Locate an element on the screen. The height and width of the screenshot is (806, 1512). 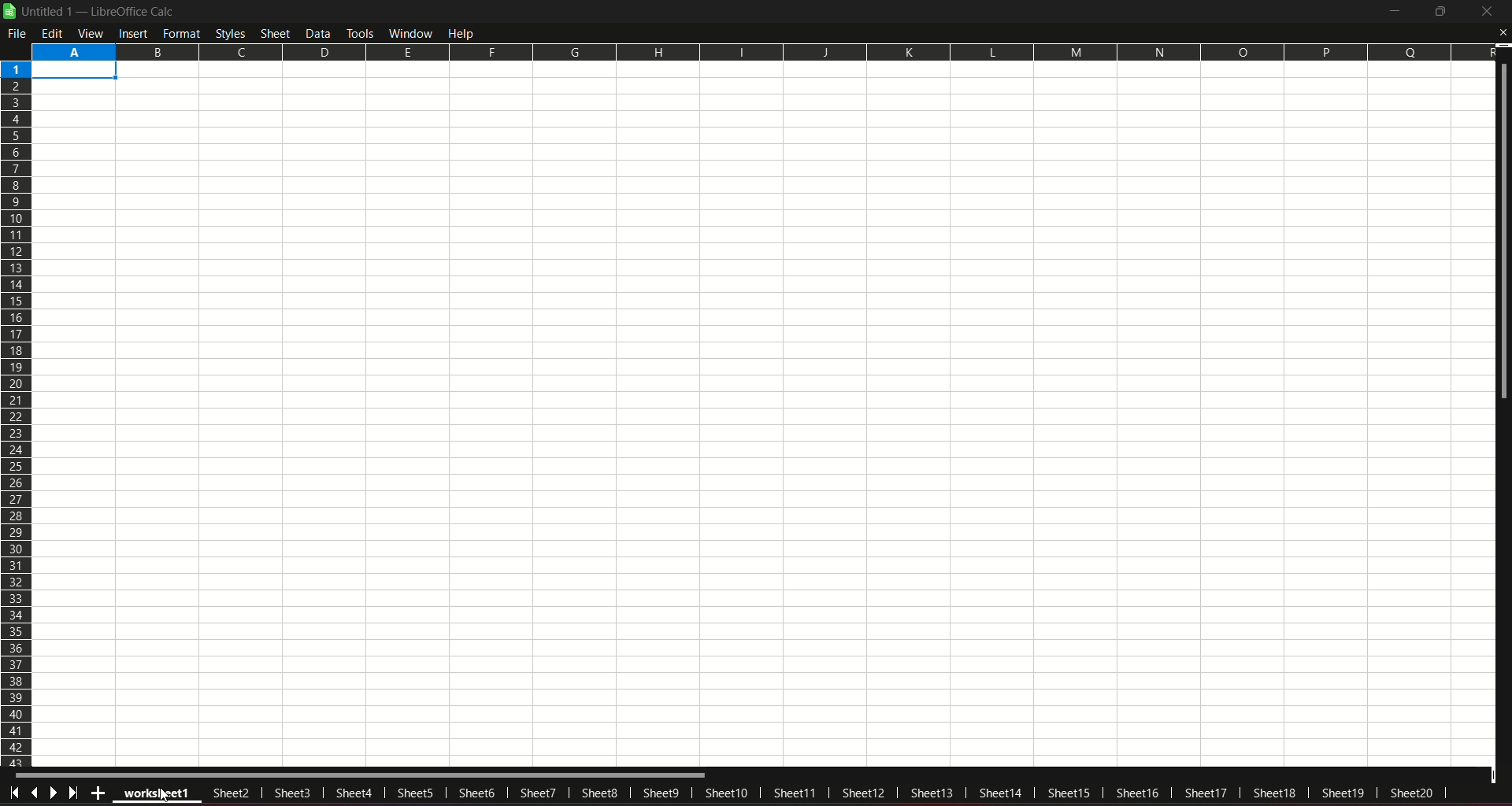
sheet11 is located at coordinates (791, 793).